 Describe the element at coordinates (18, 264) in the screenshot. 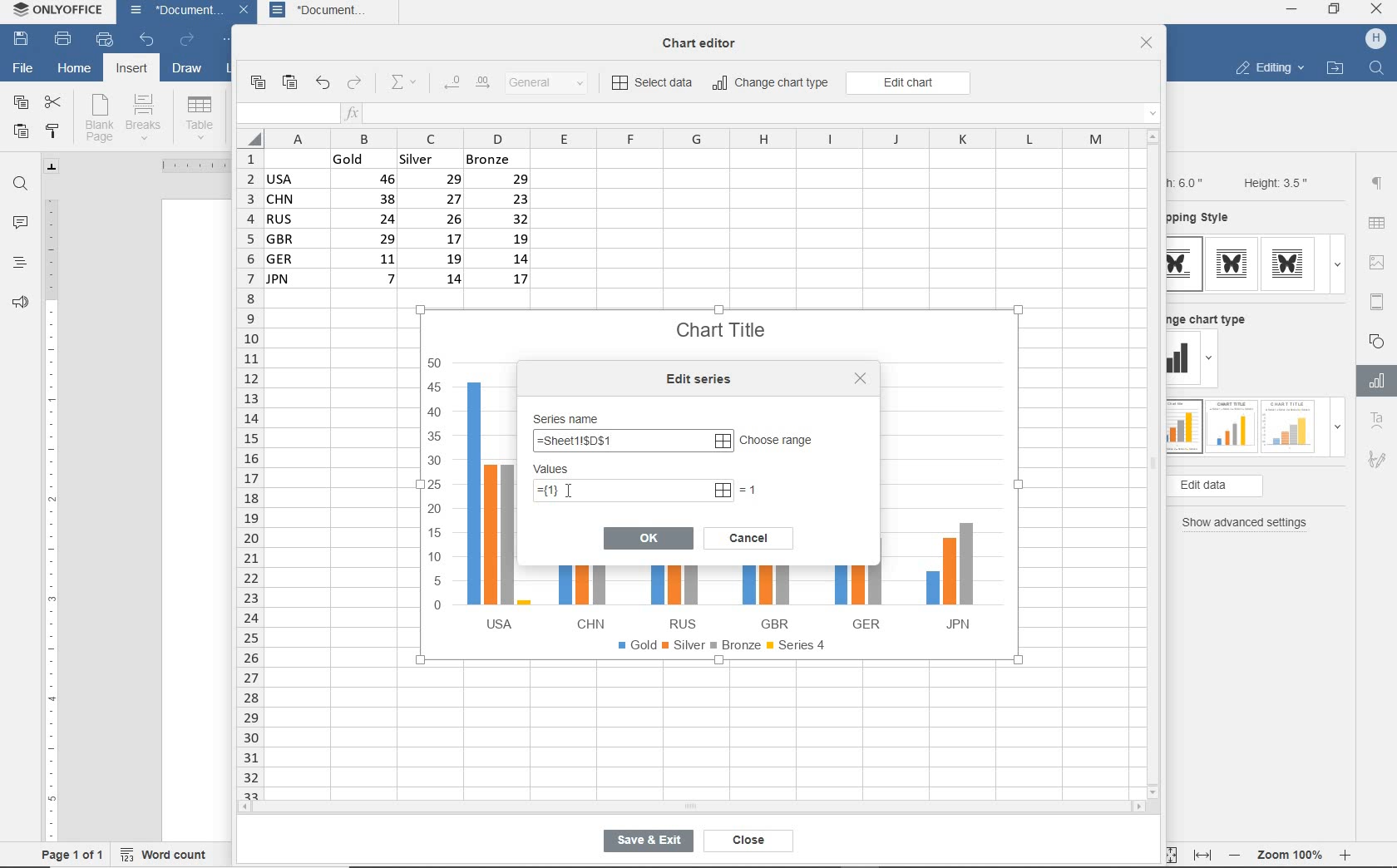

I see `headings` at that location.